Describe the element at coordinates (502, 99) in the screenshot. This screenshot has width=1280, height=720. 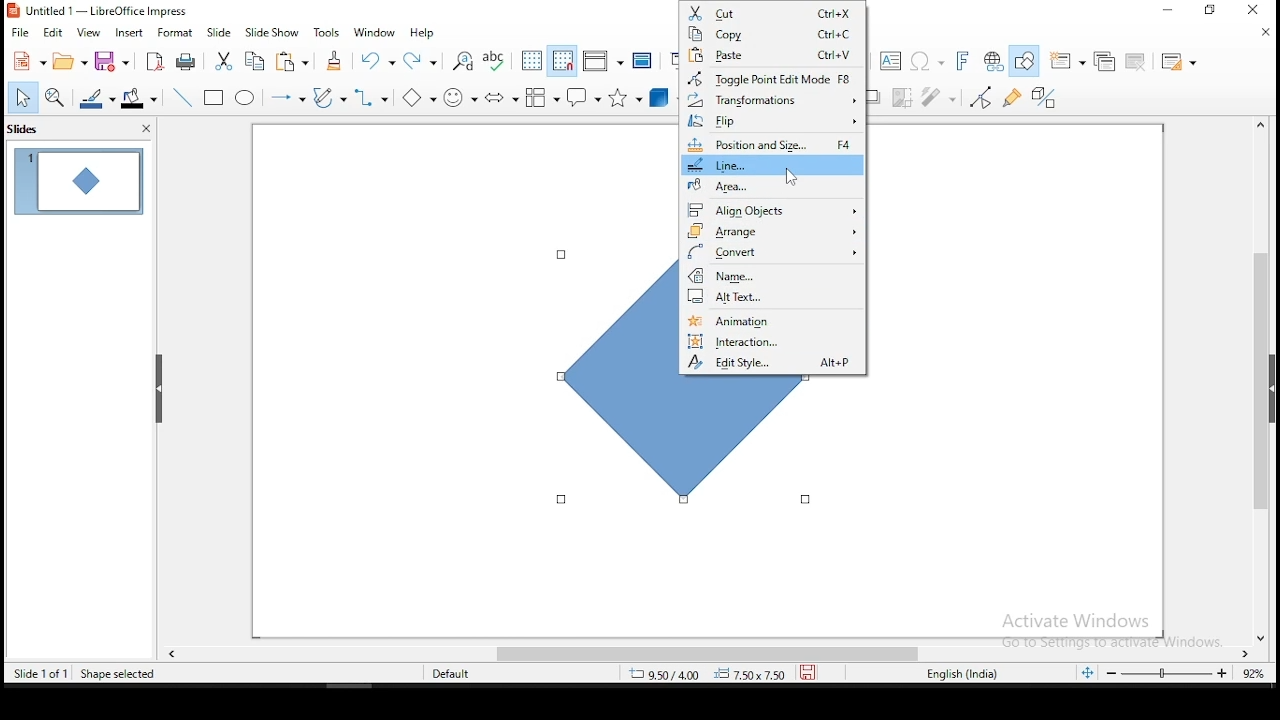
I see `block arrows` at that location.